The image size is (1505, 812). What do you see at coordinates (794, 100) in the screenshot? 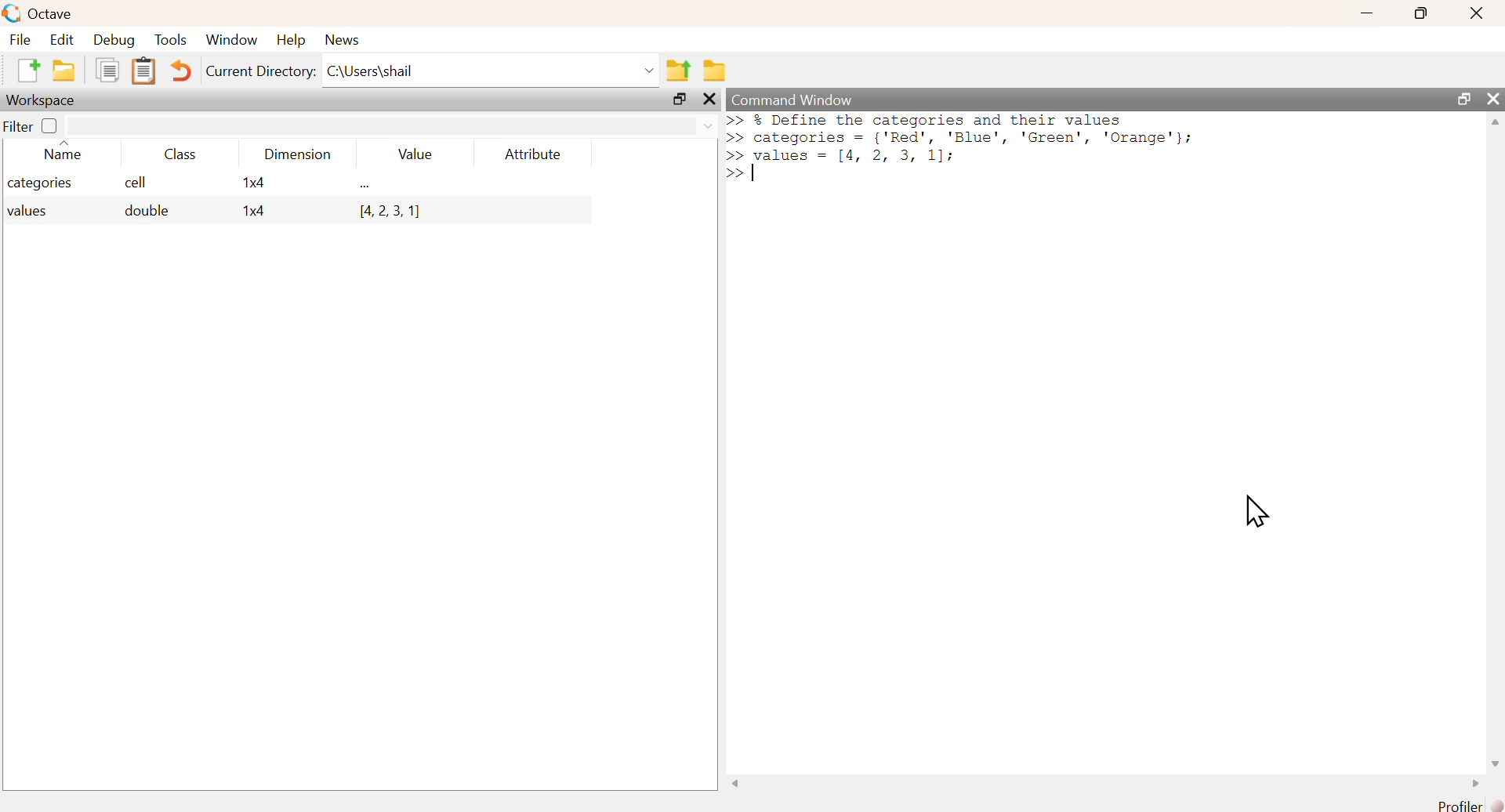
I see `Command Window` at bounding box center [794, 100].